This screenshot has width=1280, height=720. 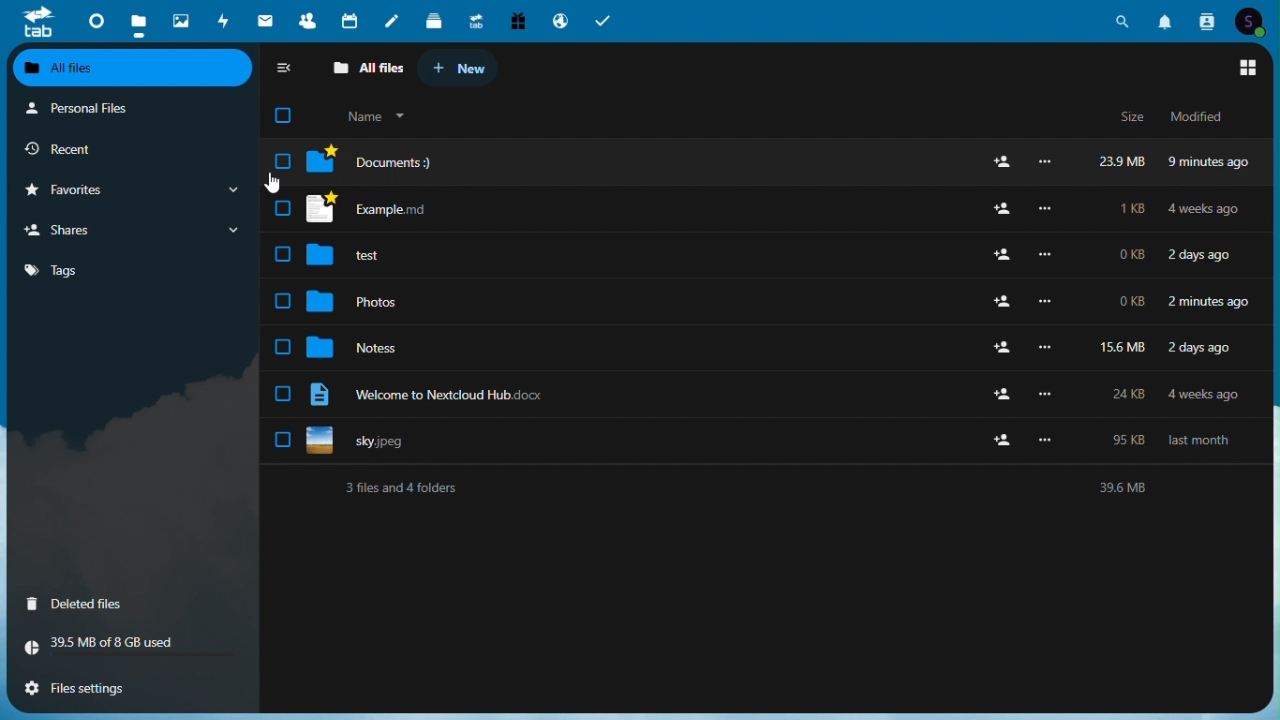 What do you see at coordinates (780, 257) in the screenshot?
I see `Files` at bounding box center [780, 257].